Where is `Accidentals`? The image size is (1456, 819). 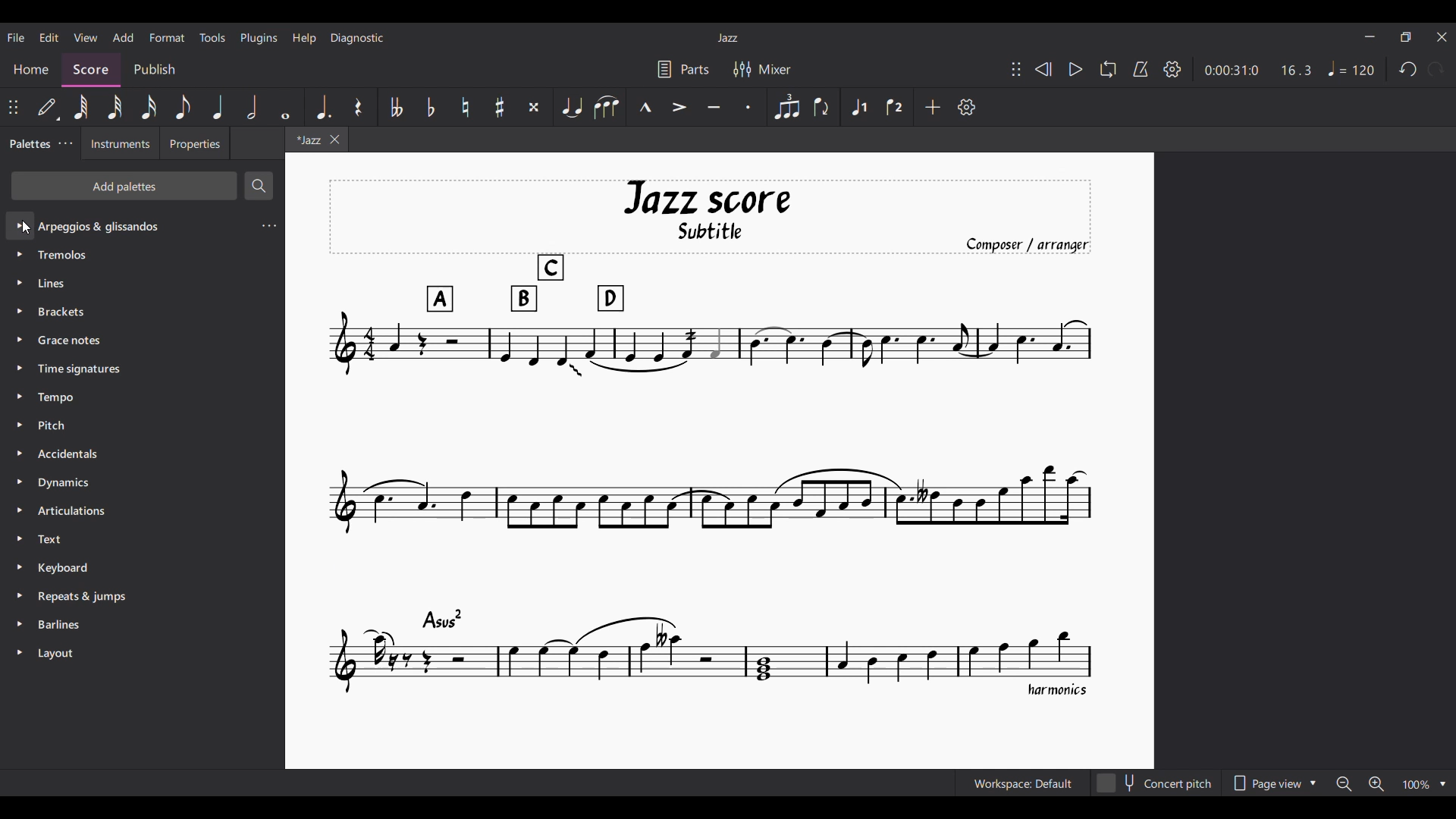
Accidentals is located at coordinates (72, 455).